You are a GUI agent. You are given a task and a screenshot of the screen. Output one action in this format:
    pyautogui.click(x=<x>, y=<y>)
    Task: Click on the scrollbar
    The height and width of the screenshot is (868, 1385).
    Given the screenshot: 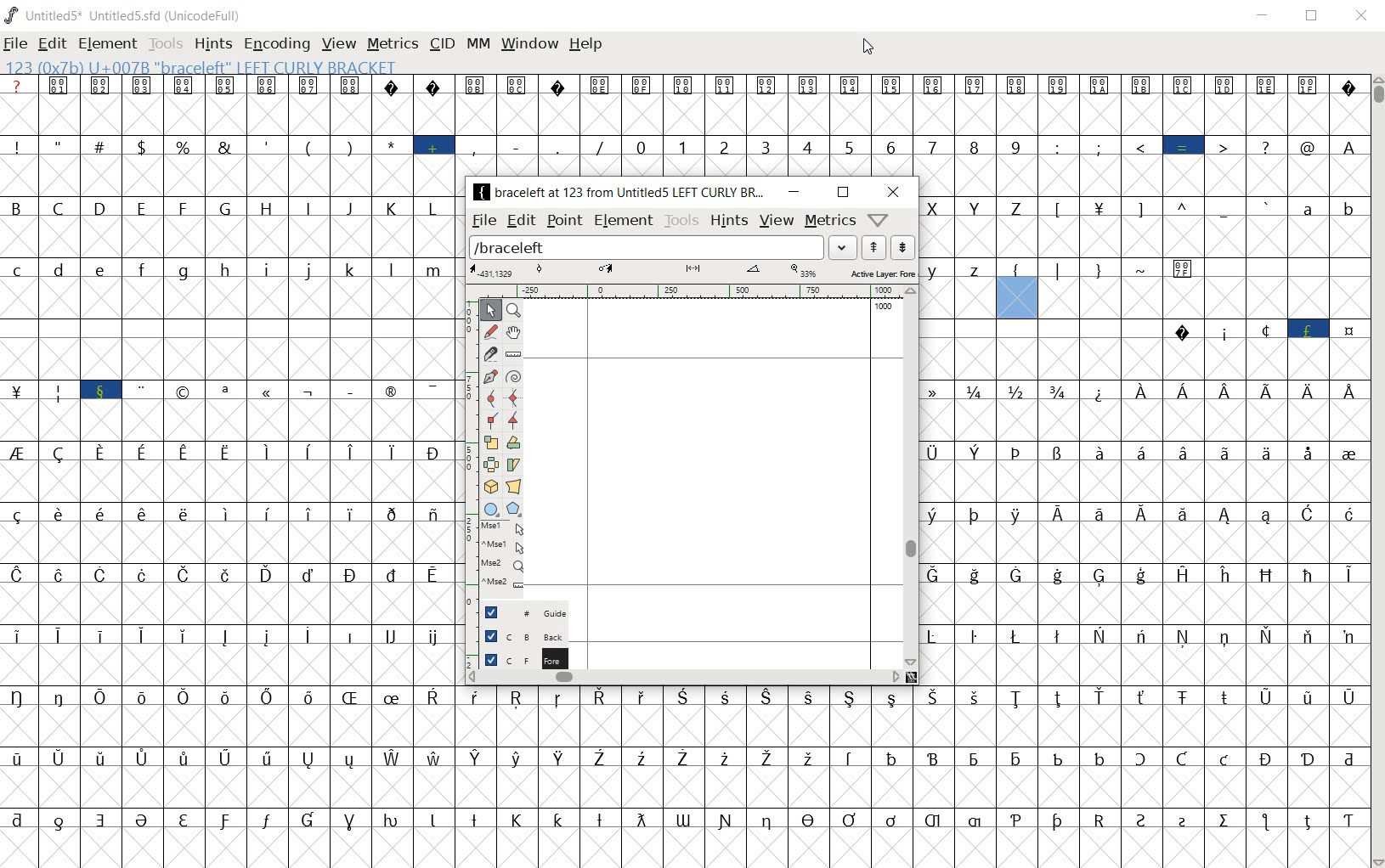 What is the action you would take?
    pyautogui.click(x=686, y=677)
    